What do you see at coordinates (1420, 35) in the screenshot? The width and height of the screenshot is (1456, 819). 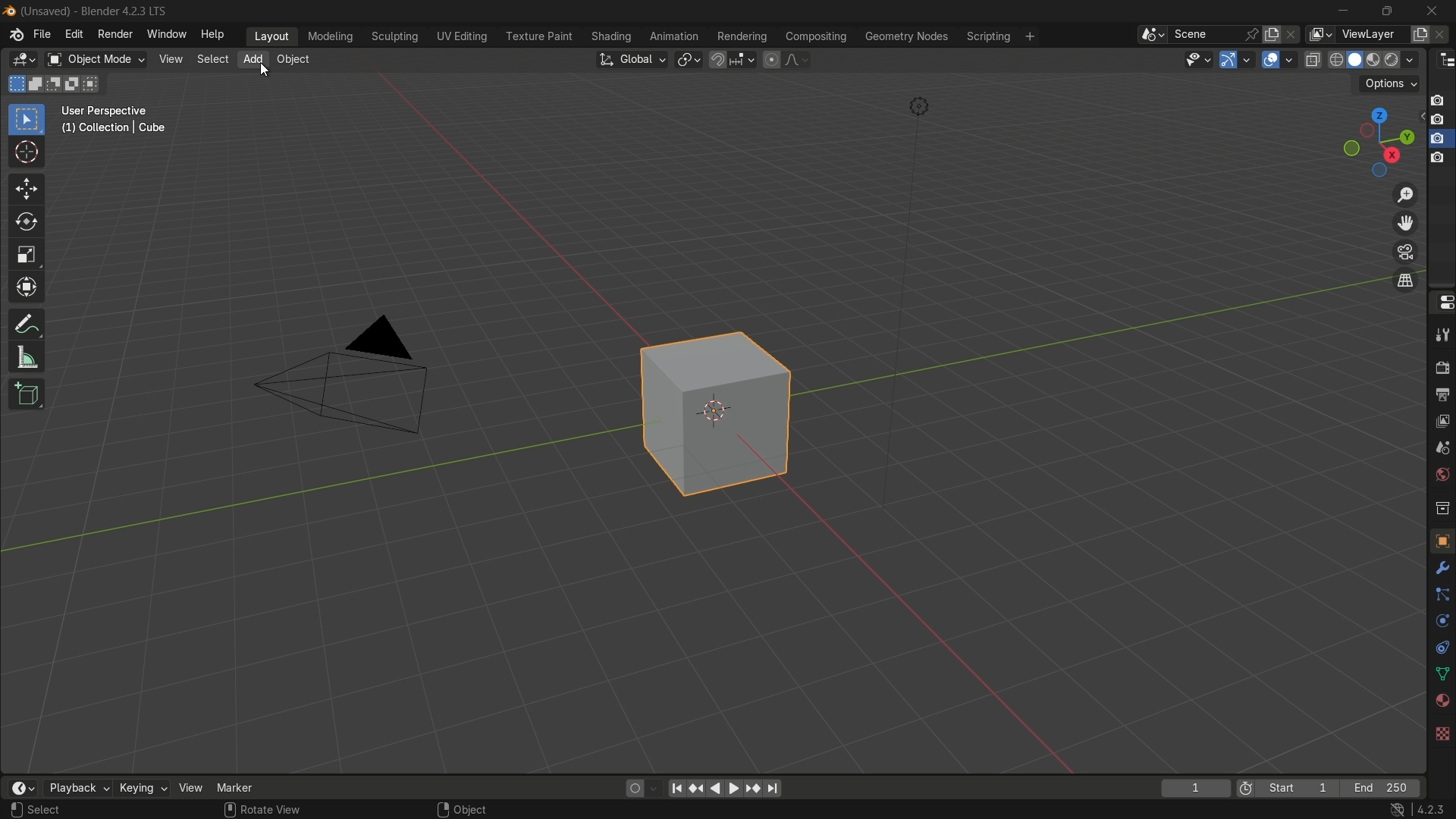 I see `add layer` at bounding box center [1420, 35].